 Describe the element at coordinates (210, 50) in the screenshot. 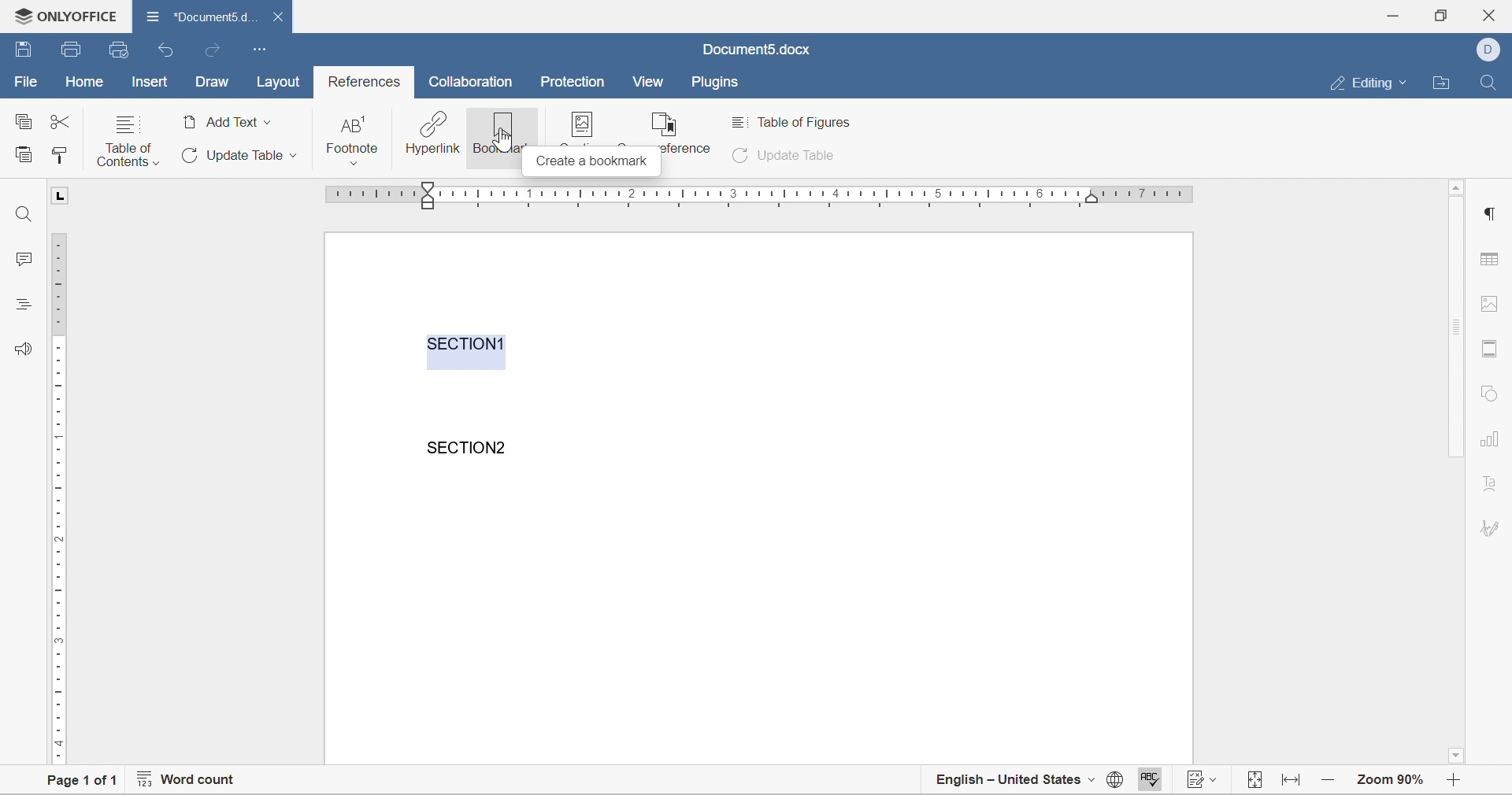

I see `redo` at that location.